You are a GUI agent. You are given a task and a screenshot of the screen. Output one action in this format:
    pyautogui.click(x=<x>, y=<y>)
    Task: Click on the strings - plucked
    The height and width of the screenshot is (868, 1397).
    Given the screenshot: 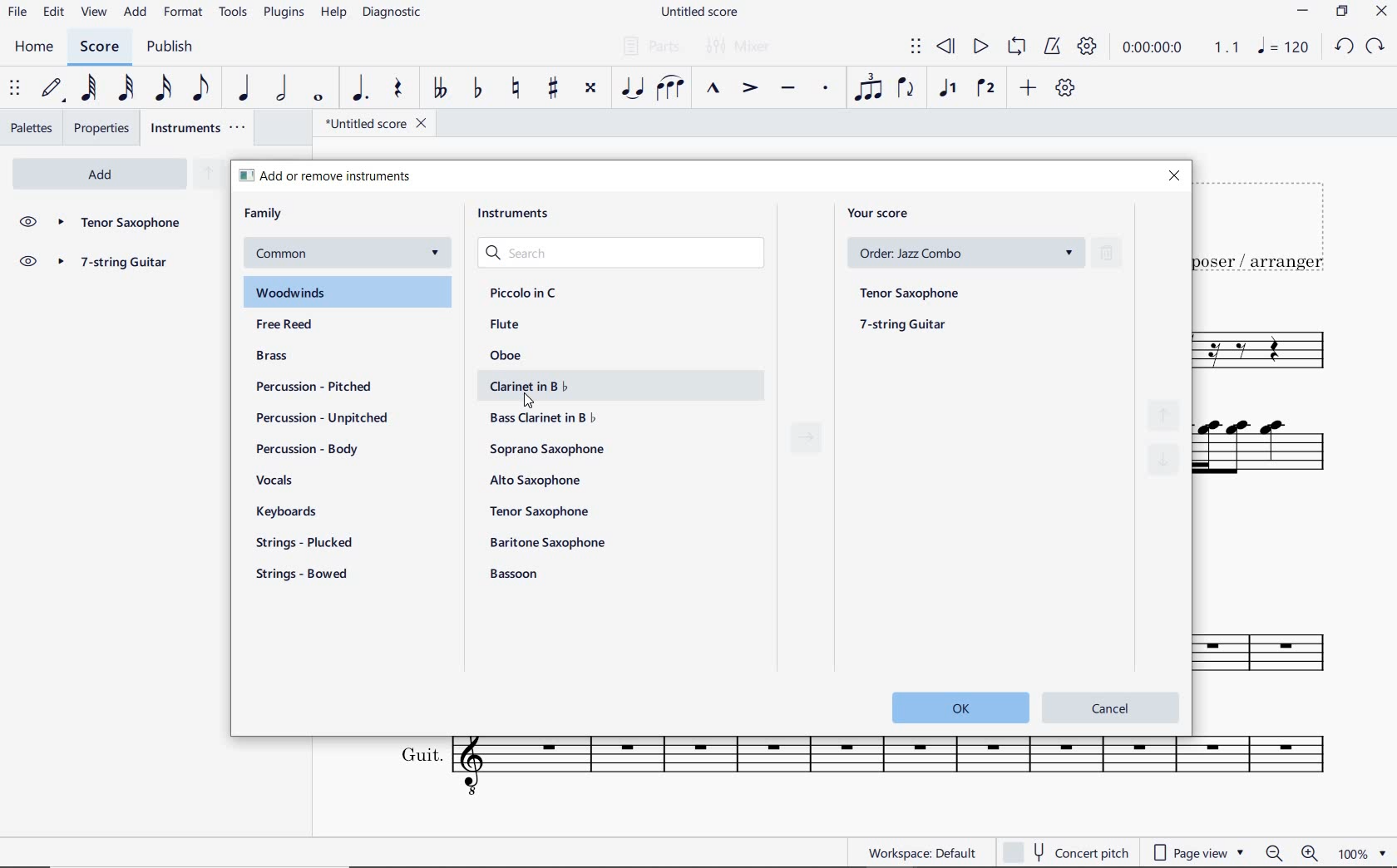 What is the action you would take?
    pyautogui.click(x=309, y=542)
    